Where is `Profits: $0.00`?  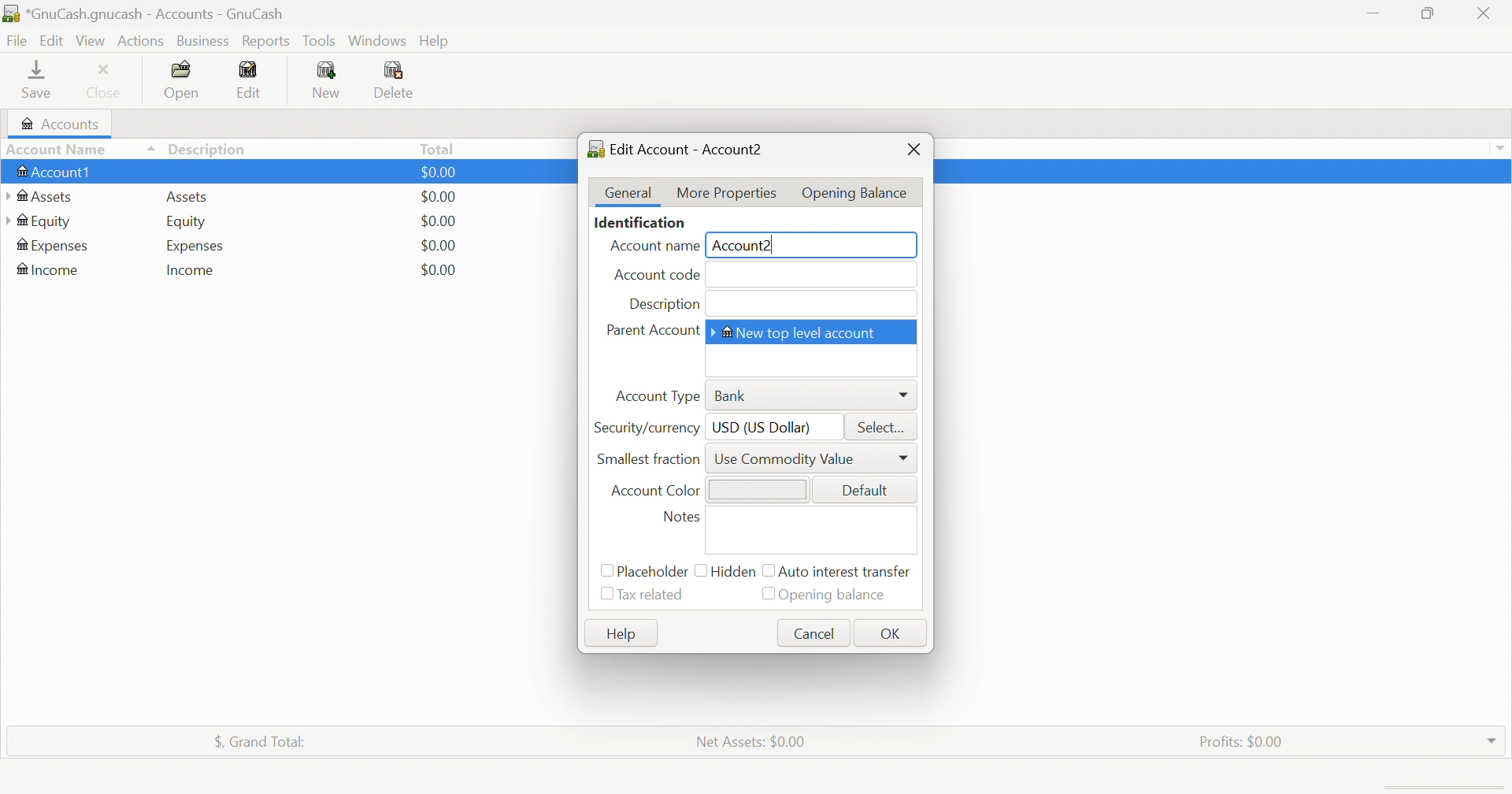
Profits: $0.00 is located at coordinates (1242, 741).